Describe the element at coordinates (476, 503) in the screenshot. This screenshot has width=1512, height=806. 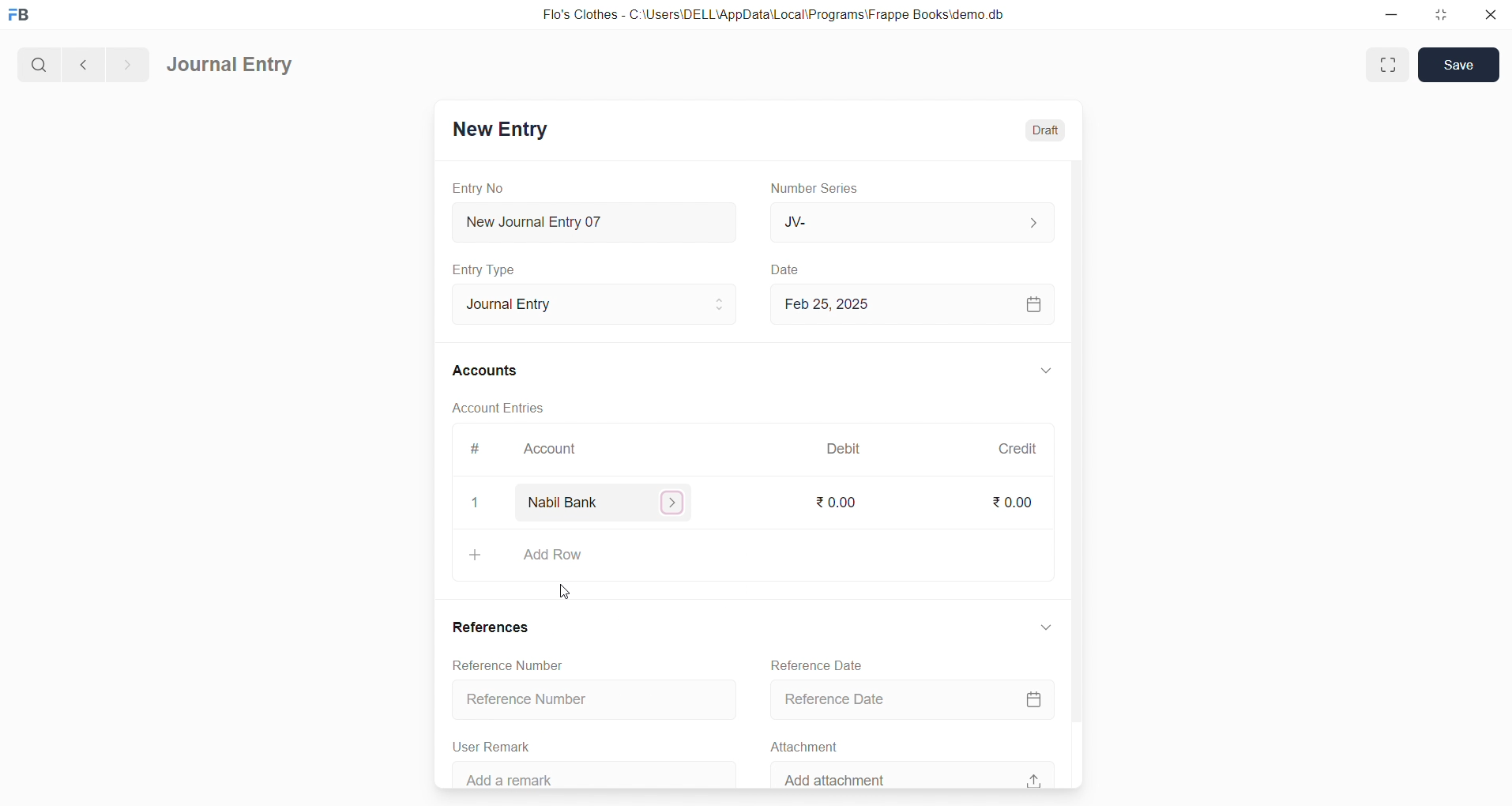
I see `closee` at that location.